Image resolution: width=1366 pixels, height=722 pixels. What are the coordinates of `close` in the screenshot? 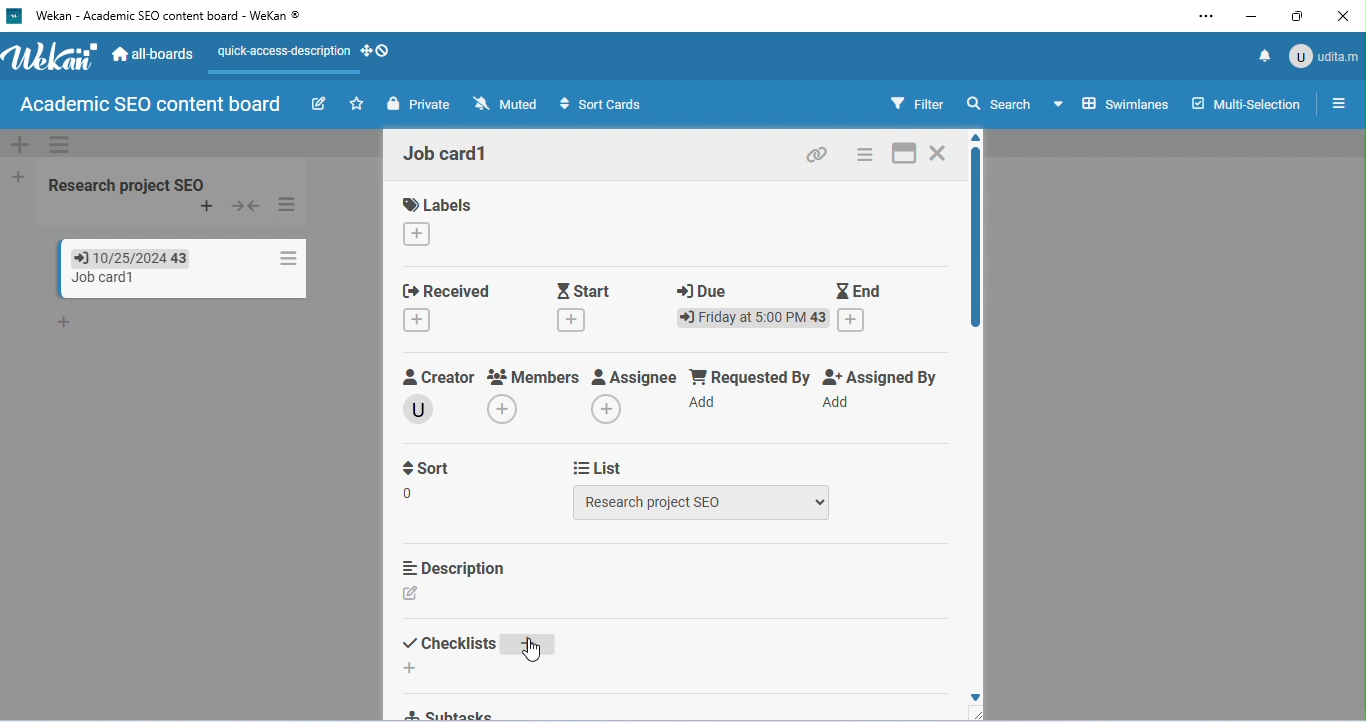 It's located at (1342, 17).